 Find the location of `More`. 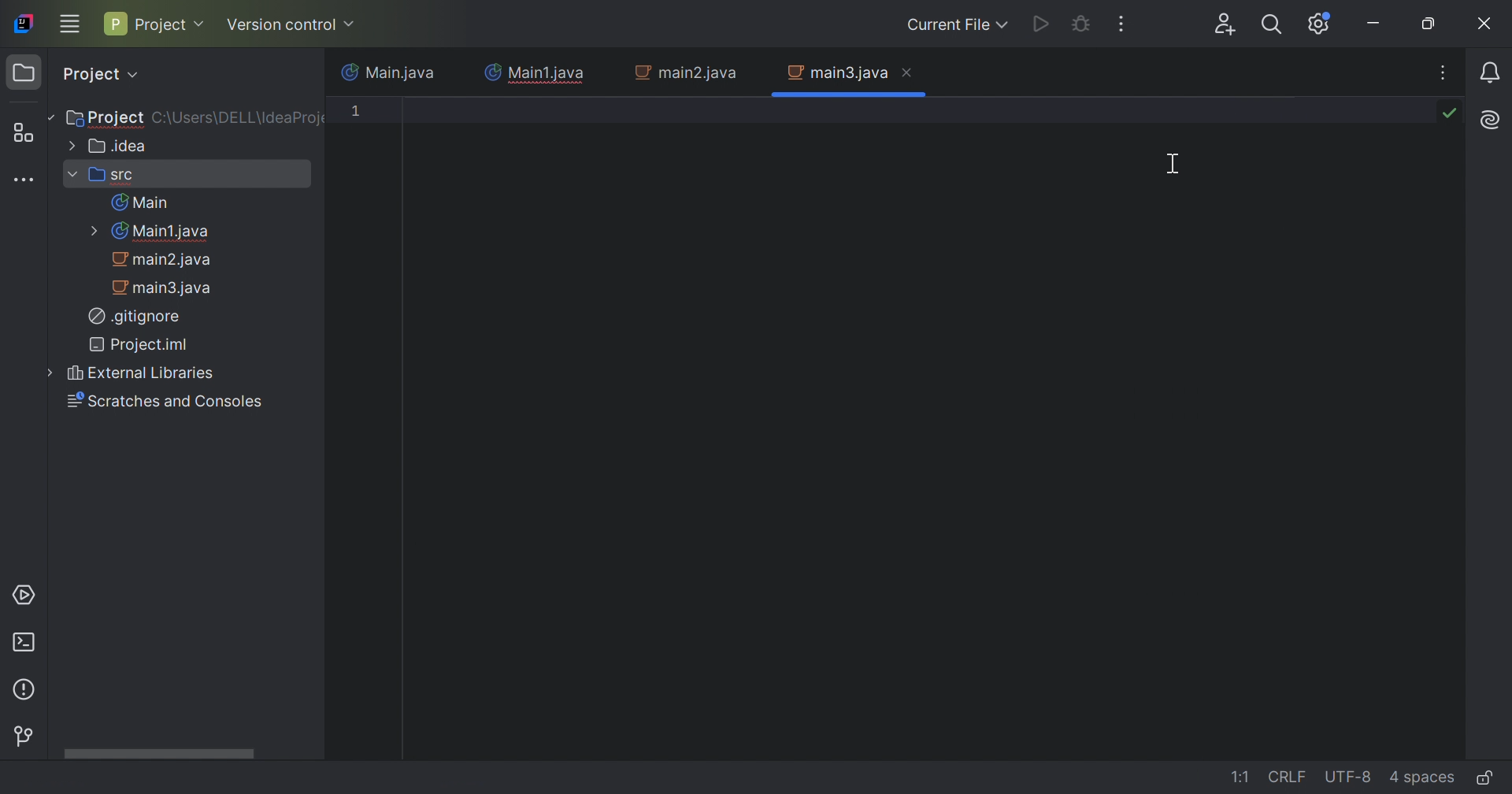

More is located at coordinates (1444, 72).